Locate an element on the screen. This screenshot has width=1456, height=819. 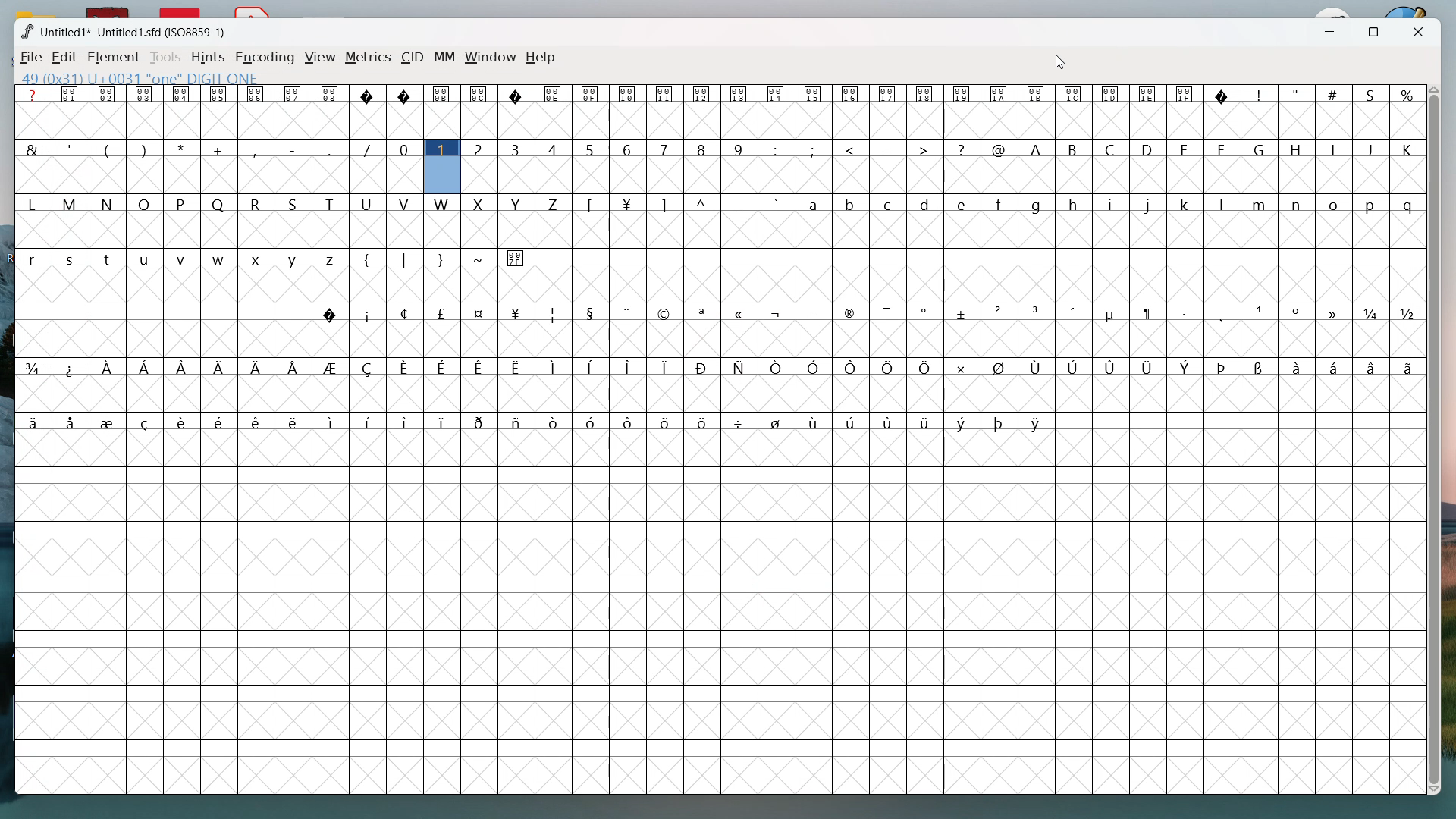
symbol is located at coordinates (554, 420).